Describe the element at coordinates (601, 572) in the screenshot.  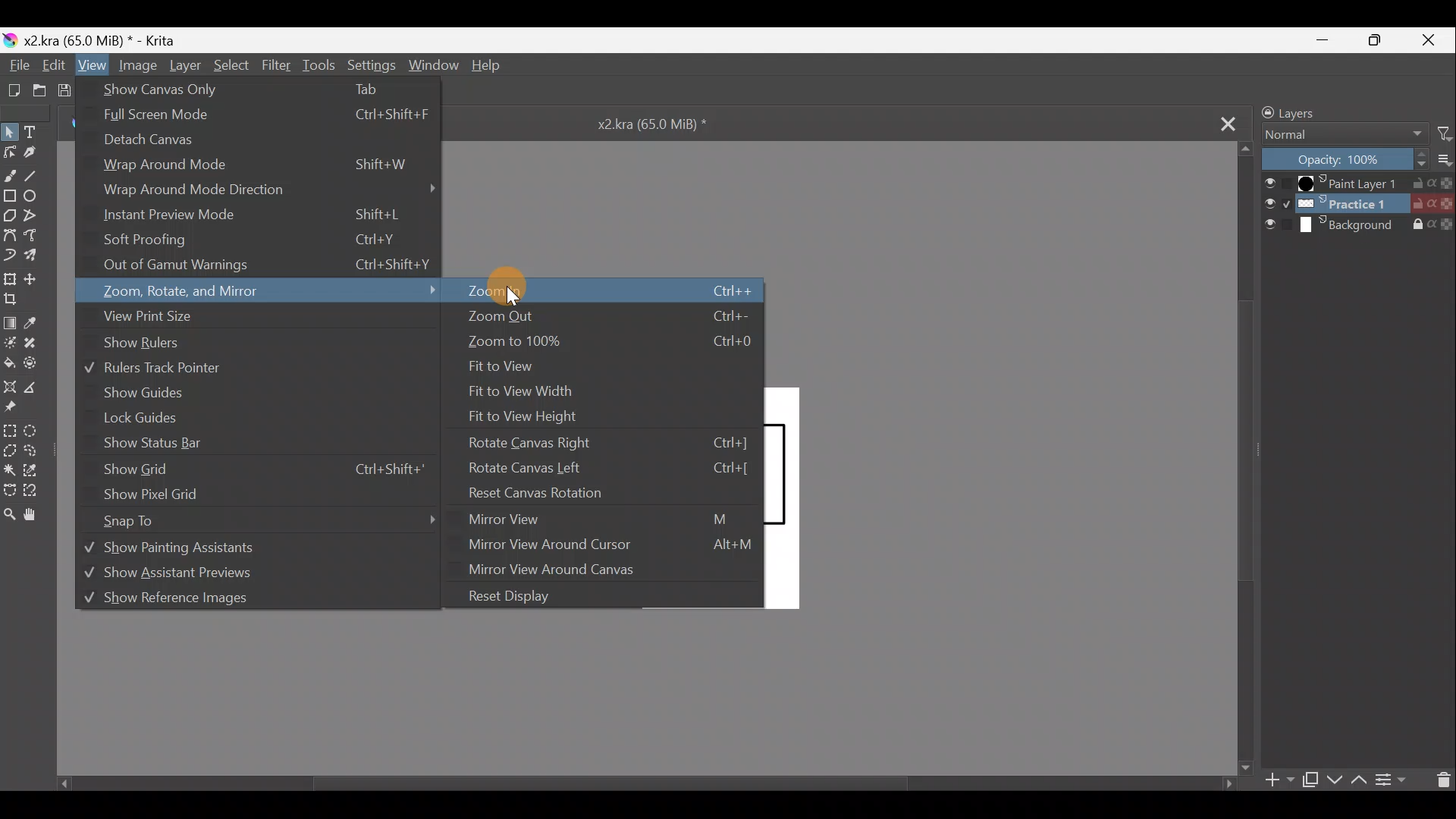
I see `Mirror view around canvas` at that location.